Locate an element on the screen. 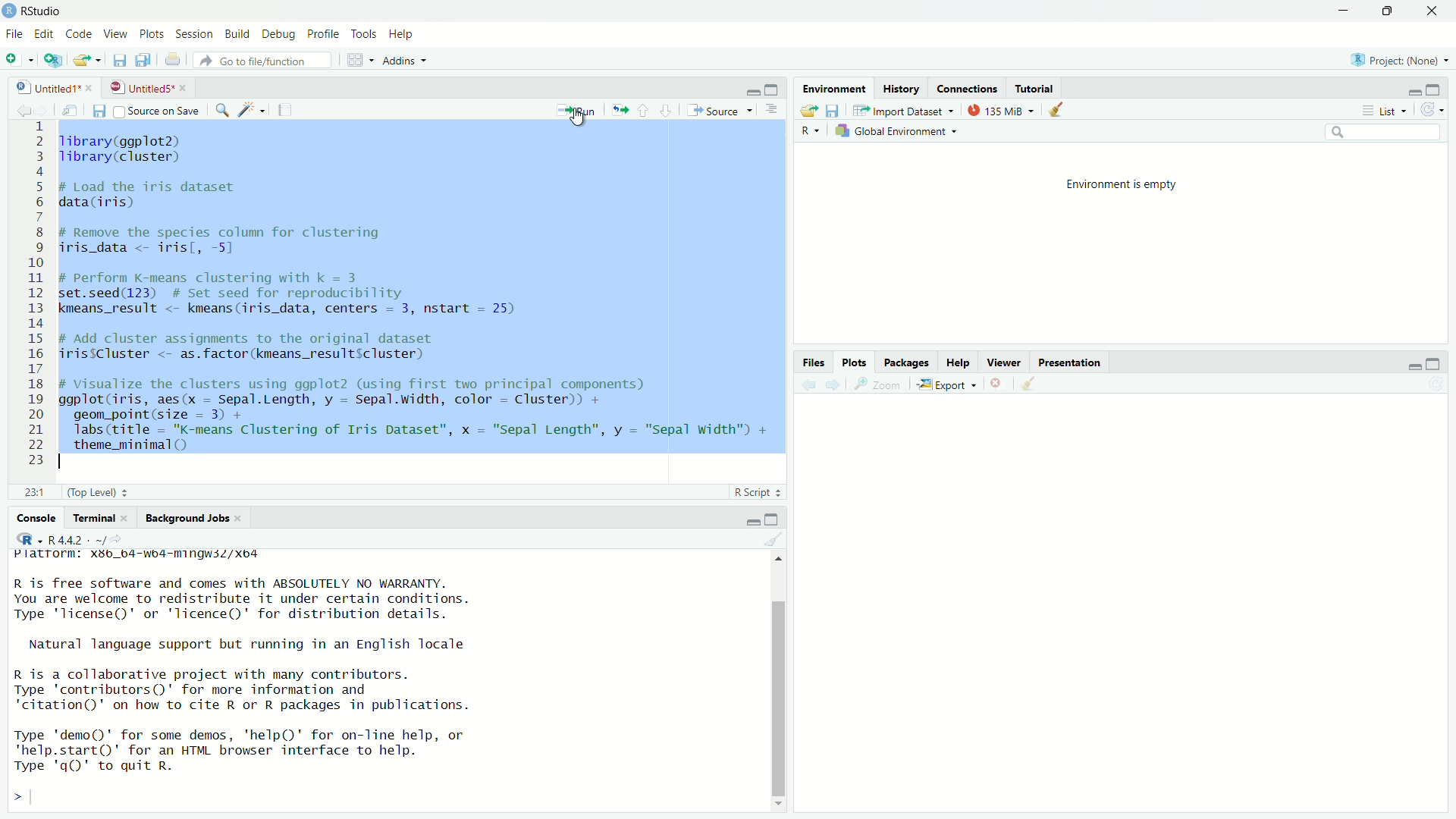 This screenshot has width=1456, height=819. close is located at coordinates (1433, 12).